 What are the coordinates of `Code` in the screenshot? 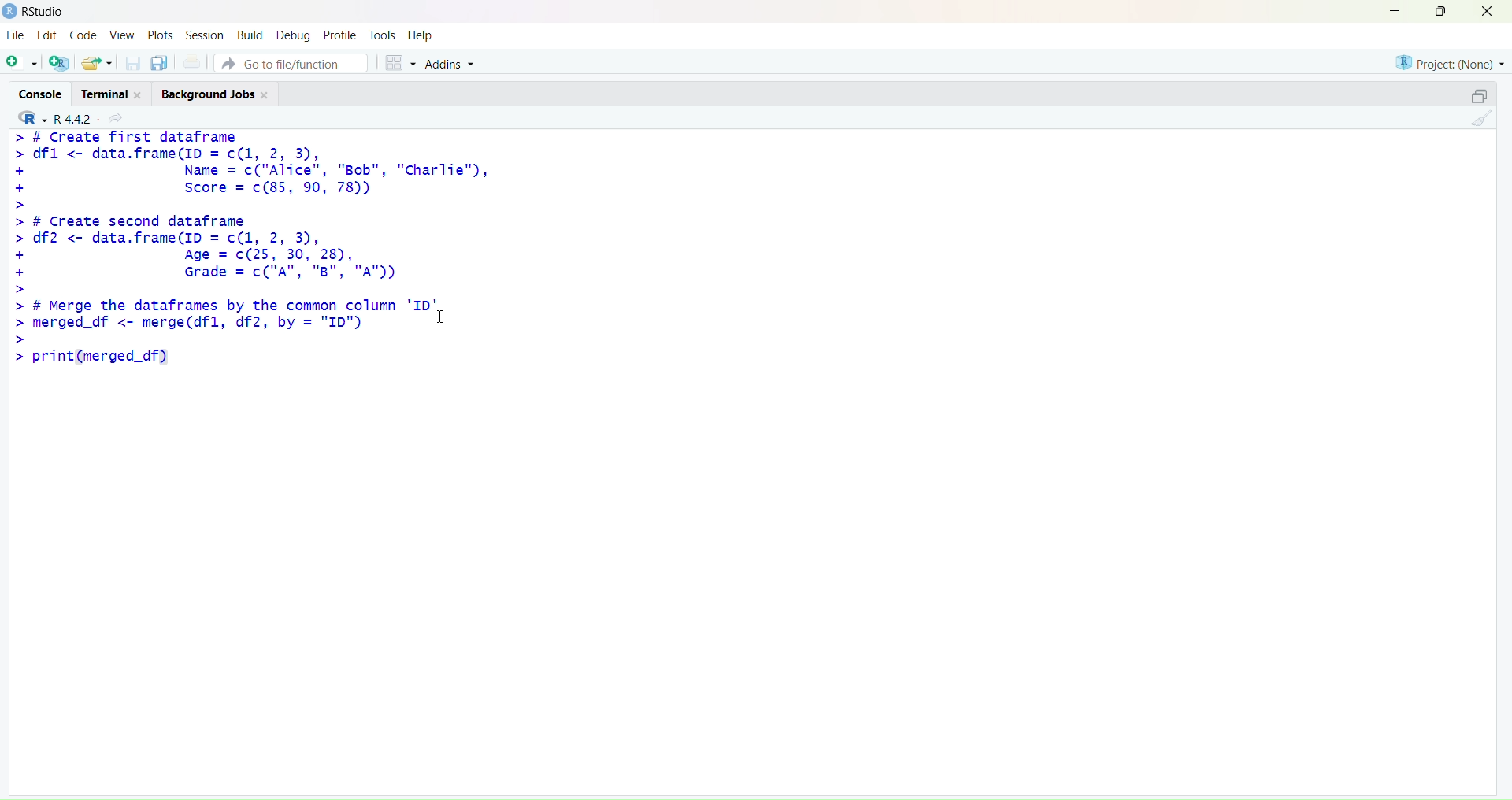 It's located at (86, 35).